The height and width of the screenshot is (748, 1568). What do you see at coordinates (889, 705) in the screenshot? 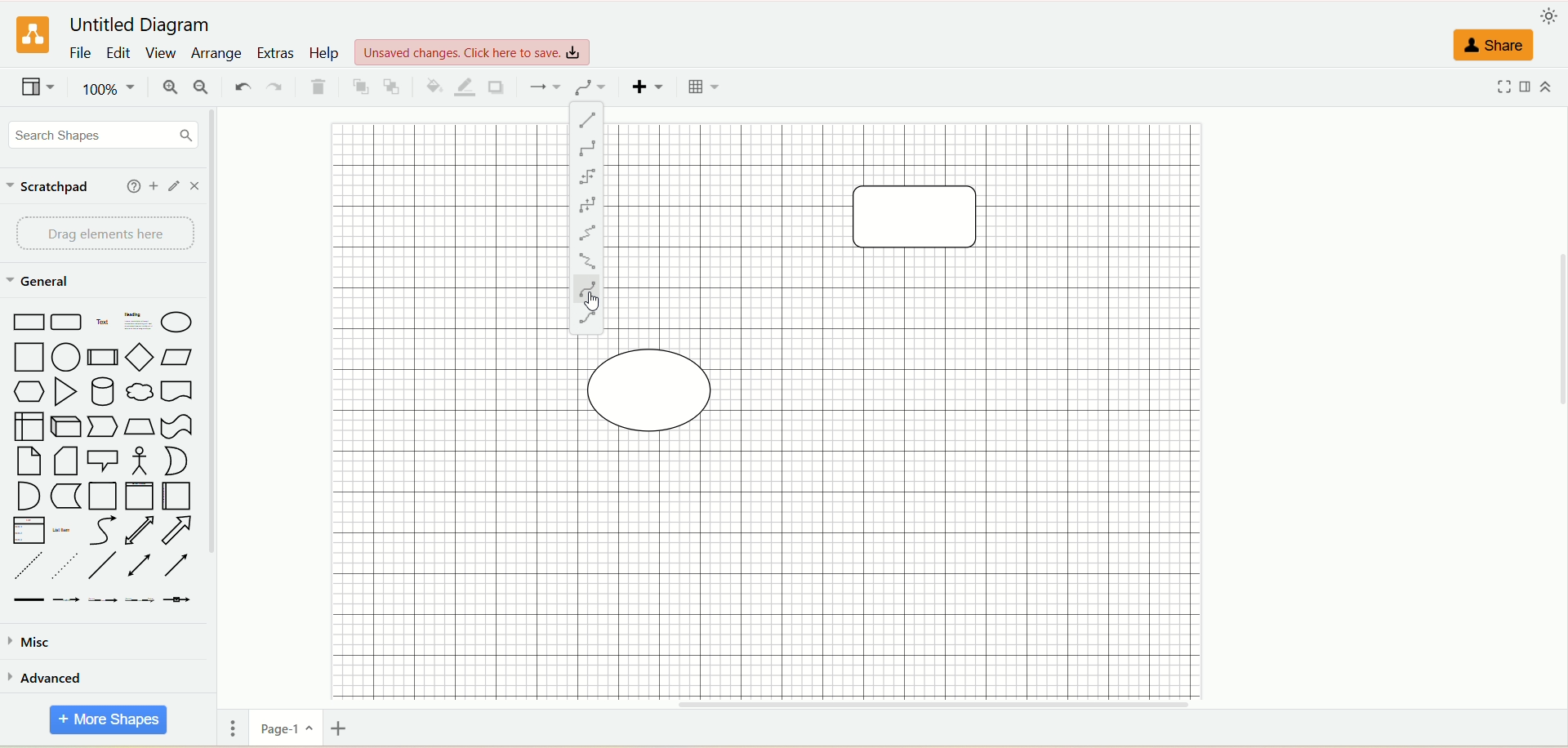
I see `horizontal scroll bar` at bounding box center [889, 705].